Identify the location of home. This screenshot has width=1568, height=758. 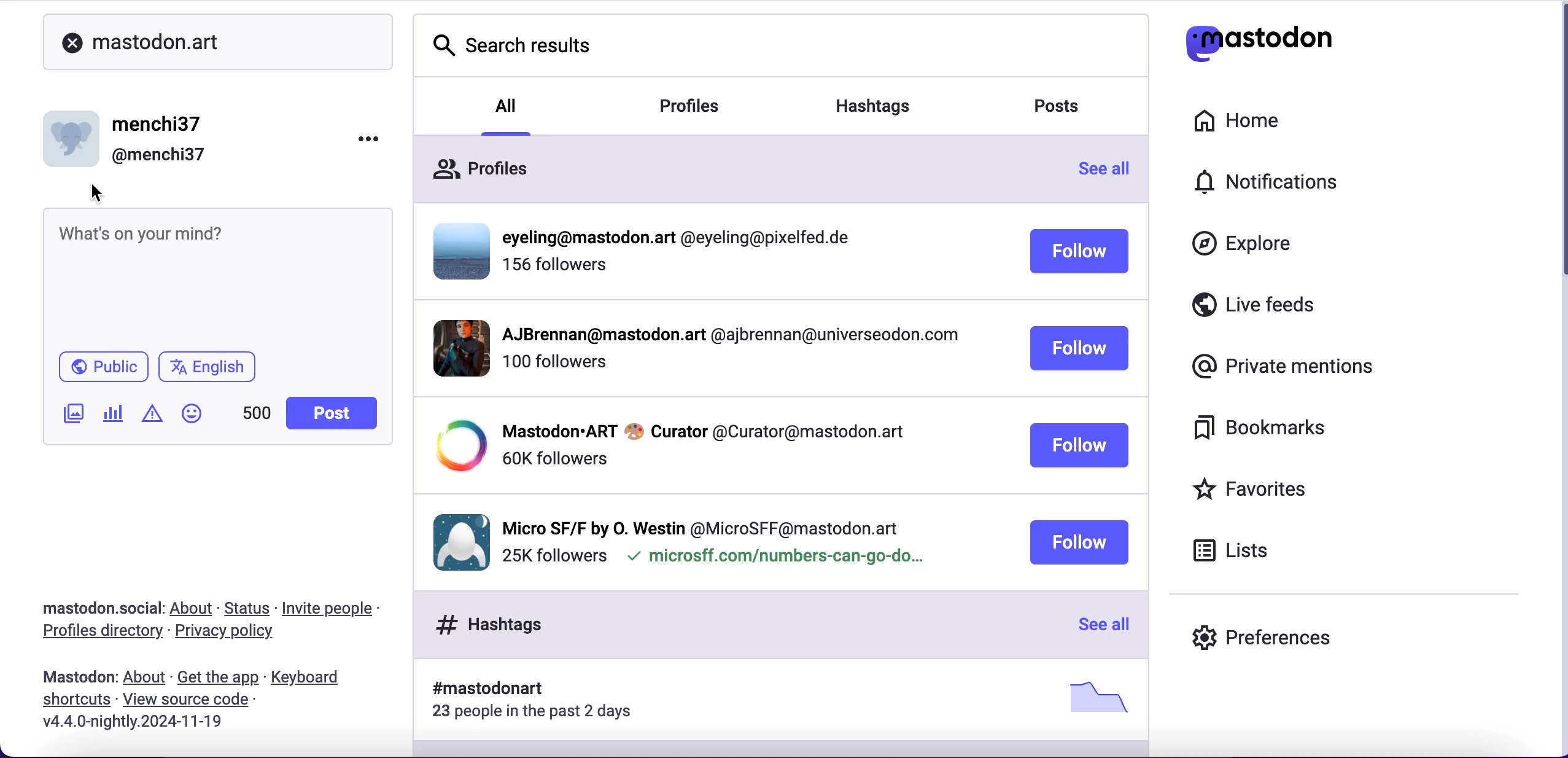
(1240, 123).